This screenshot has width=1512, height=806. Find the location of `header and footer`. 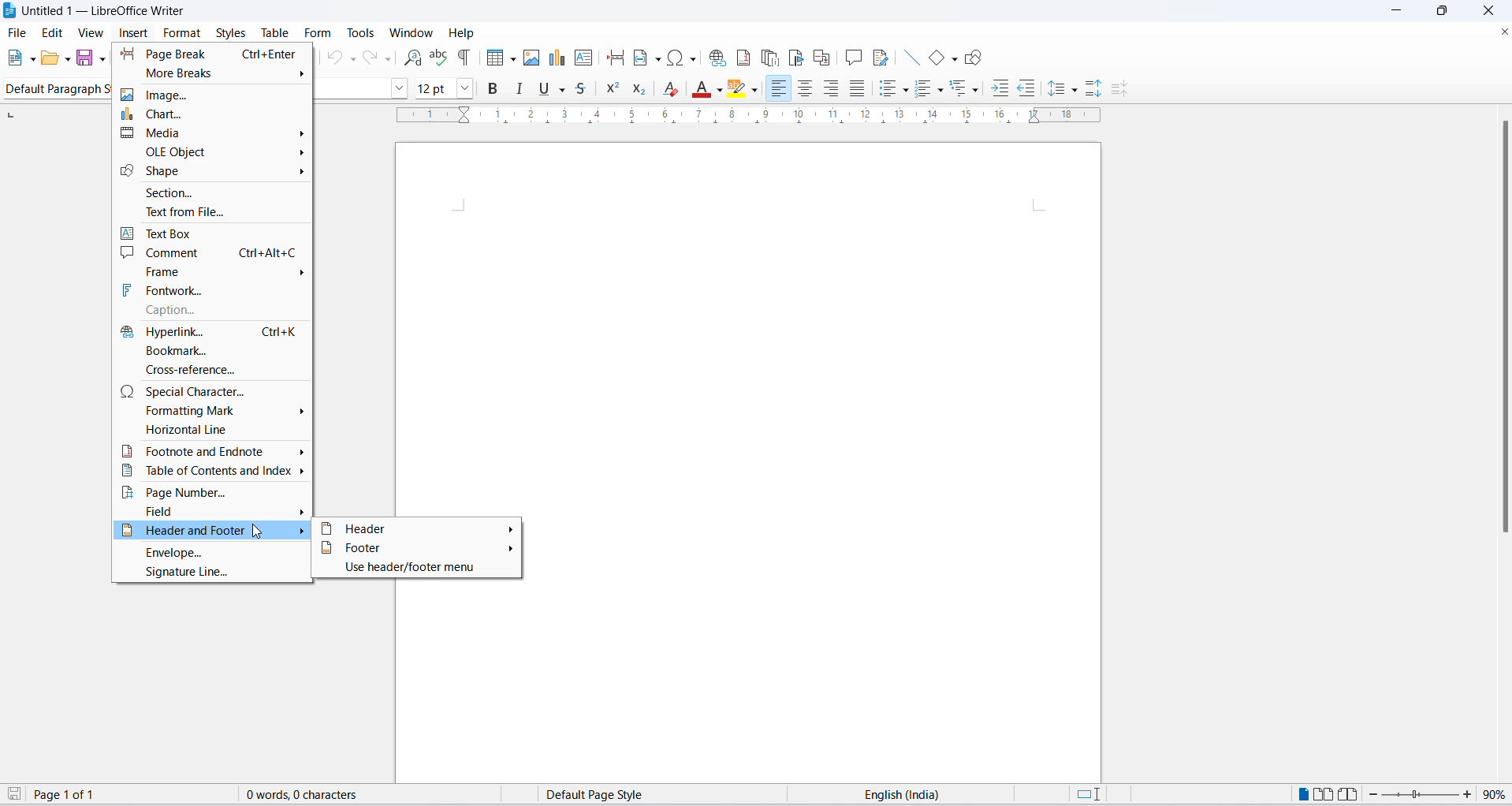

header and footer is located at coordinates (212, 532).